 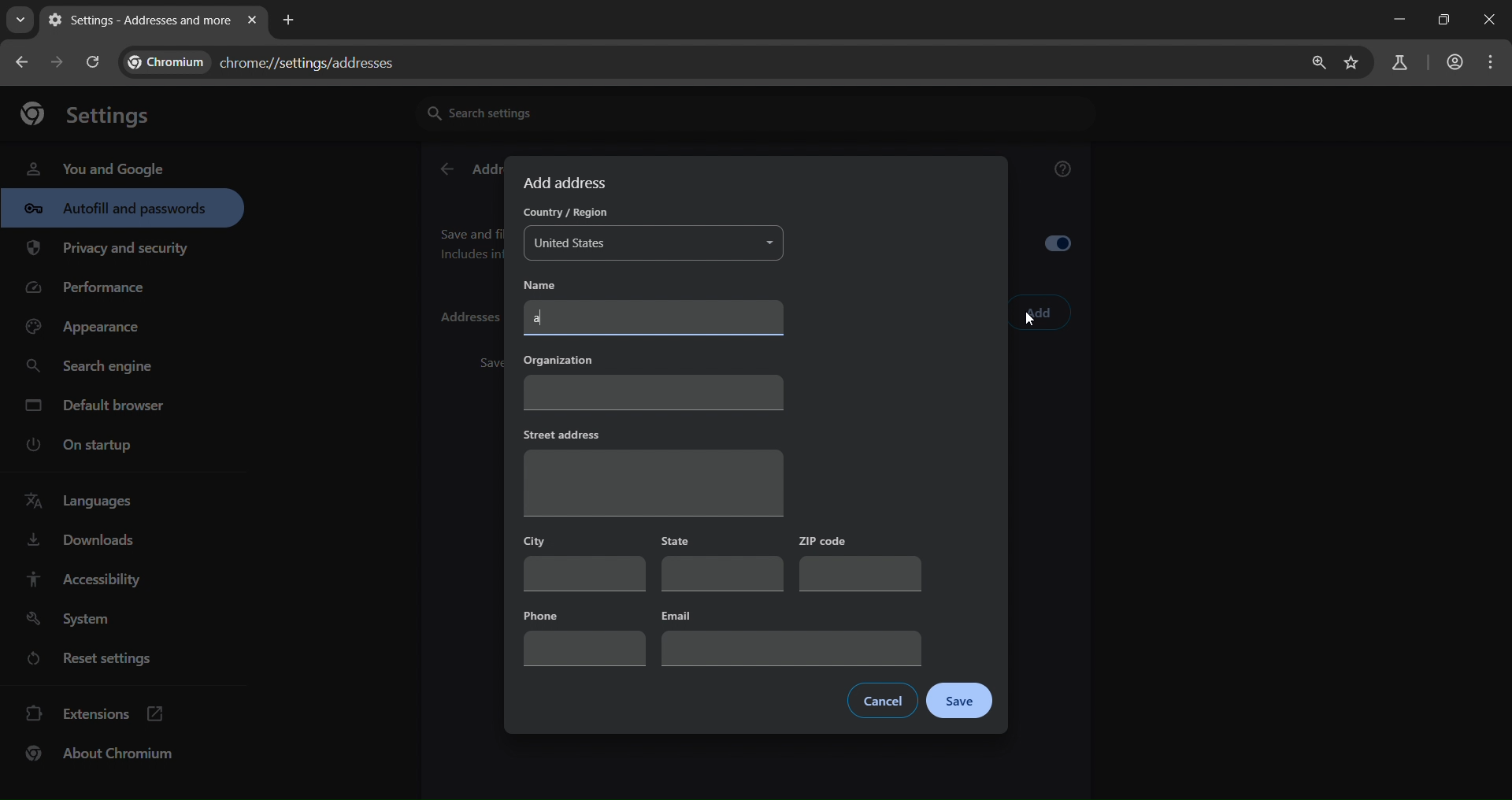 I want to click on privacy & security, so click(x=108, y=251).